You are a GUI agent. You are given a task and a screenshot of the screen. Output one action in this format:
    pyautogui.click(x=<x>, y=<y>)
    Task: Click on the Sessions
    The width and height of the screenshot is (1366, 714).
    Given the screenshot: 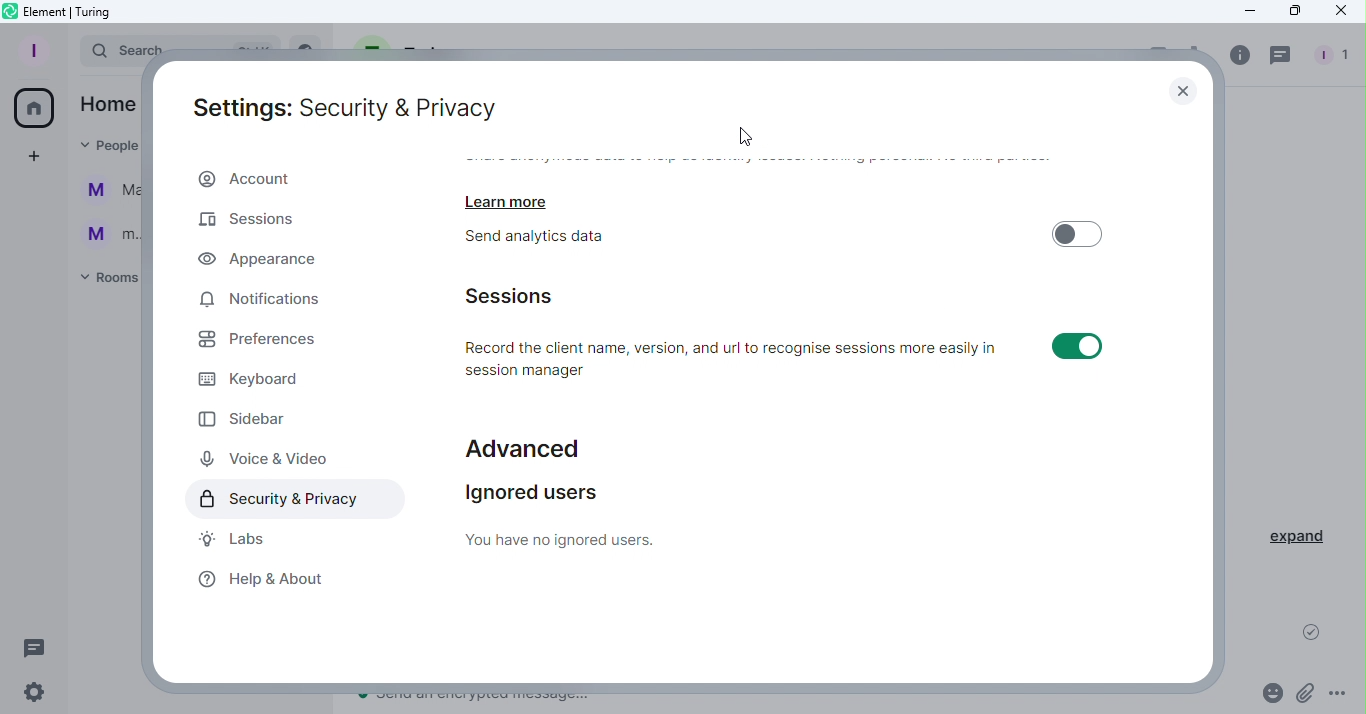 What is the action you would take?
    pyautogui.click(x=526, y=295)
    